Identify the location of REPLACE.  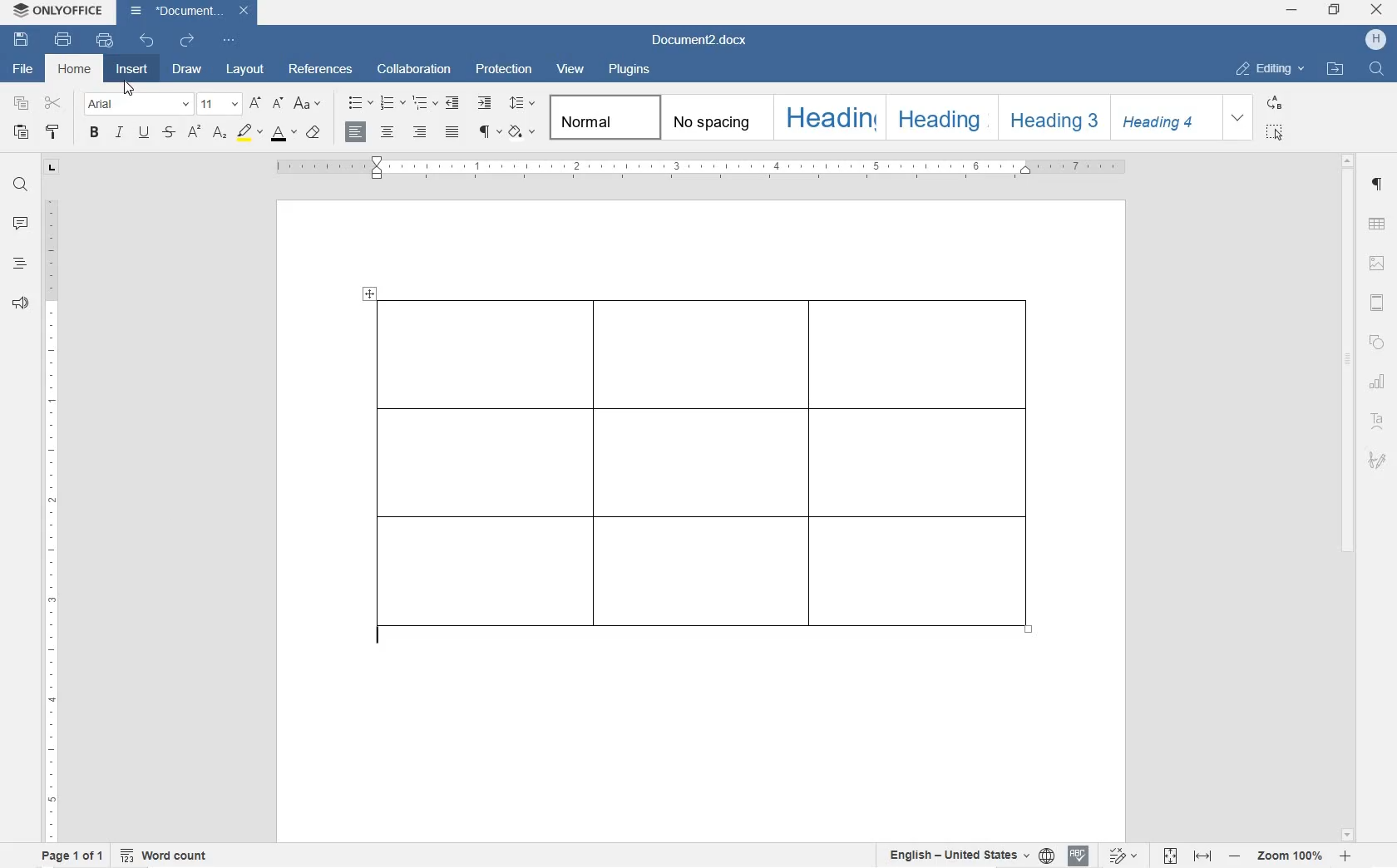
(1276, 101).